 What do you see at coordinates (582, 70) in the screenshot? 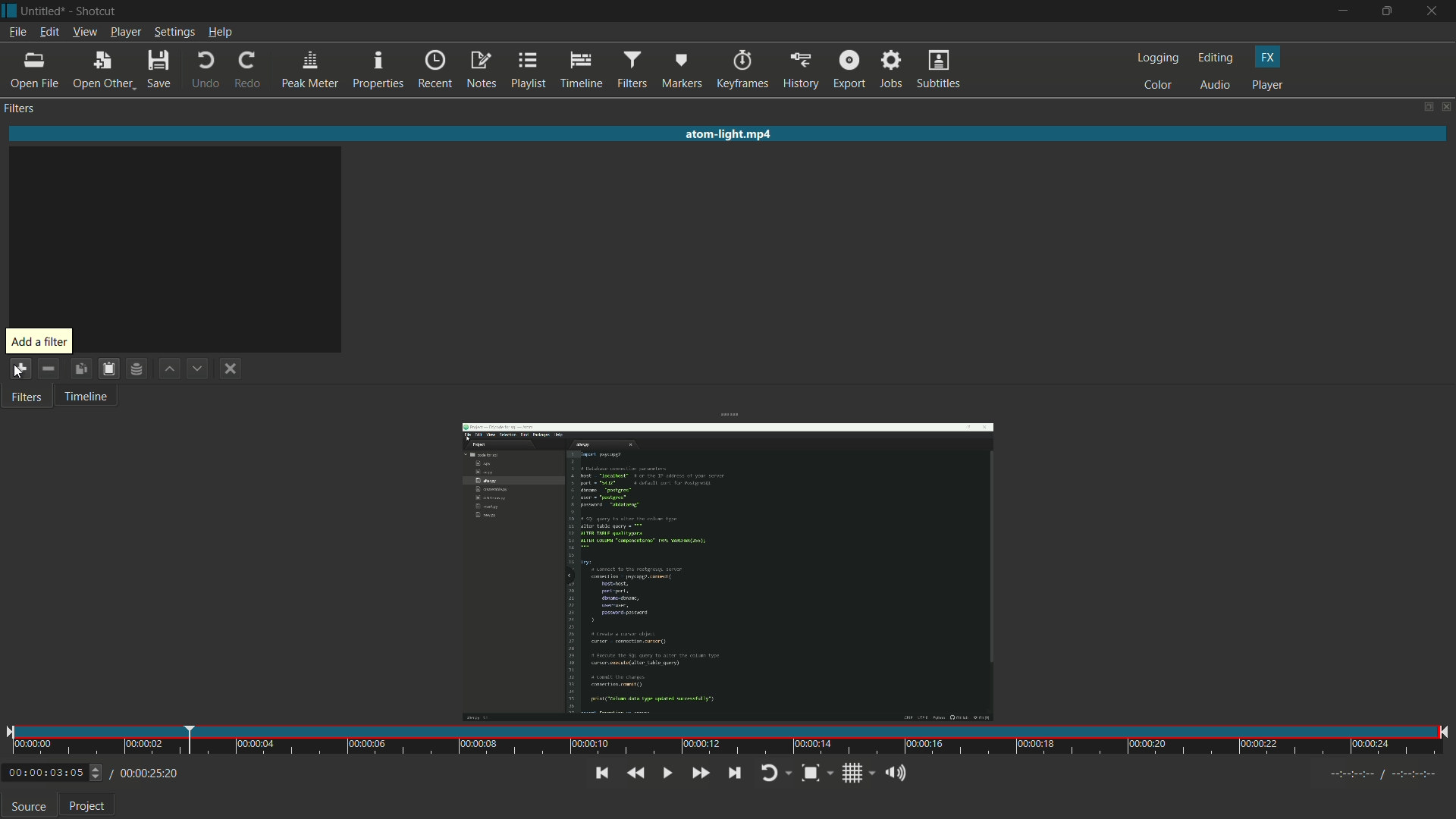
I see `timeline` at bounding box center [582, 70].